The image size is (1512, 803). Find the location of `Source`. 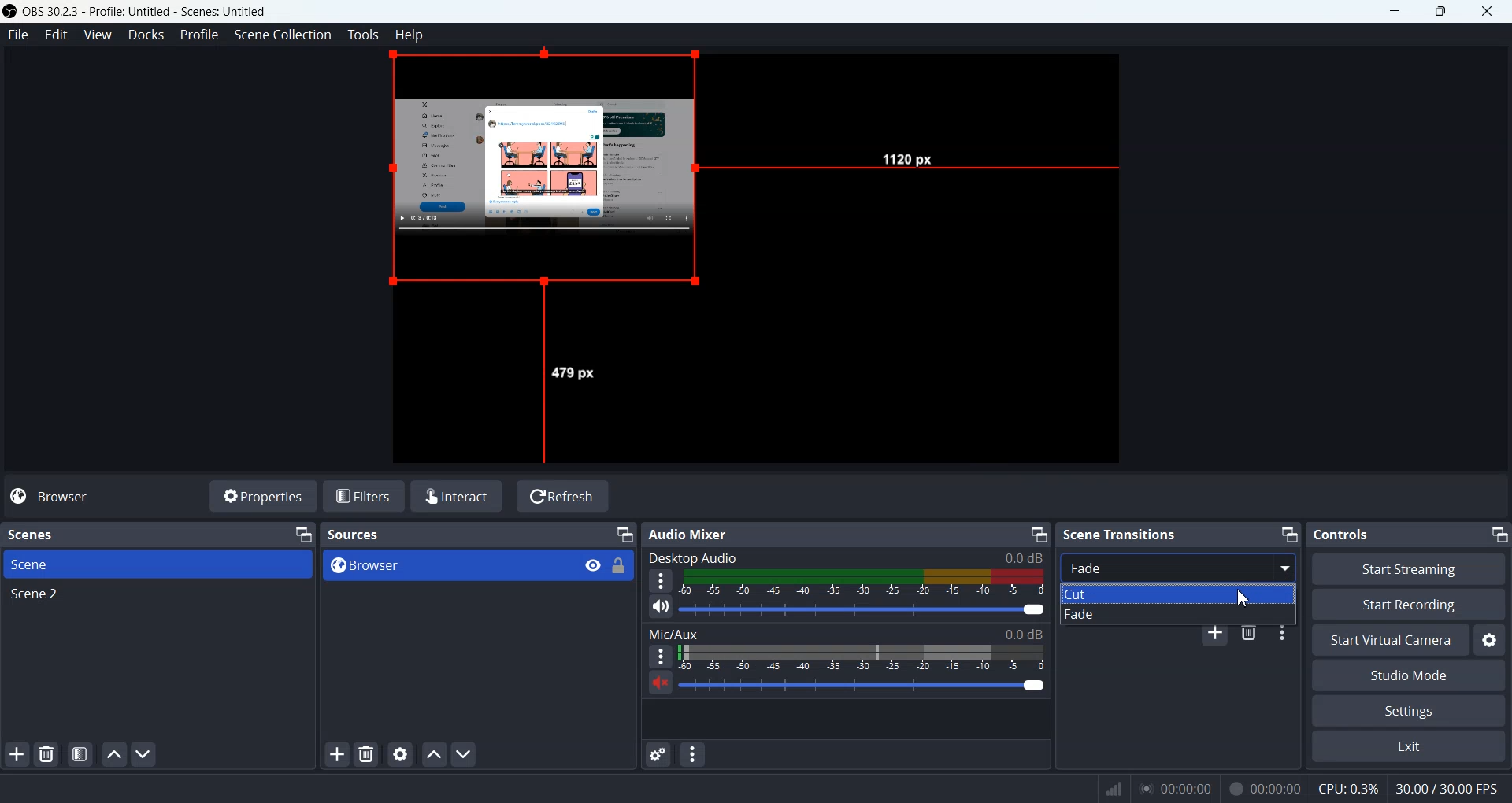

Source is located at coordinates (553, 172).